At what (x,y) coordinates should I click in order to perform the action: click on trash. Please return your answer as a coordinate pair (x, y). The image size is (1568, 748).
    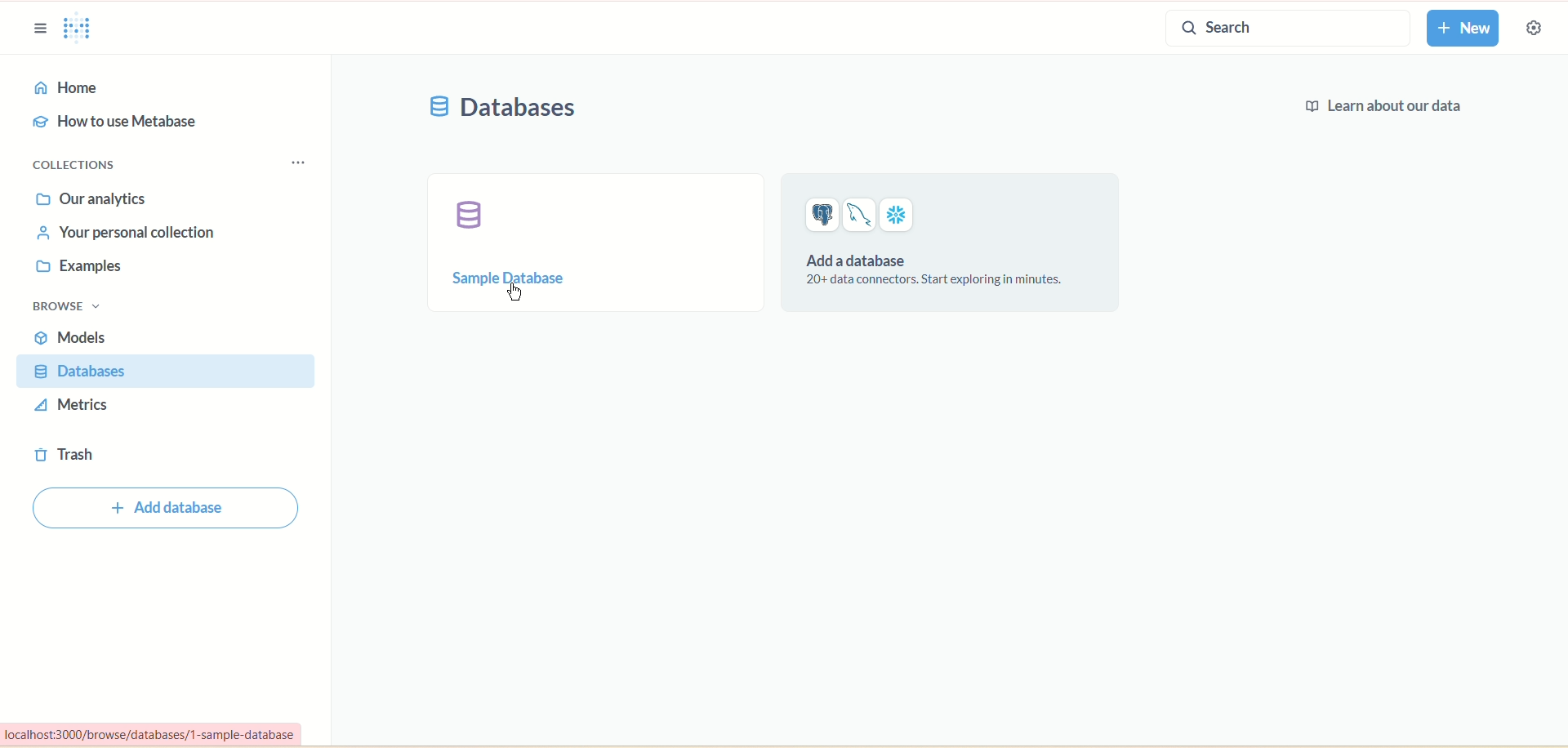
    Looking at the image, I should click on (65, 454).